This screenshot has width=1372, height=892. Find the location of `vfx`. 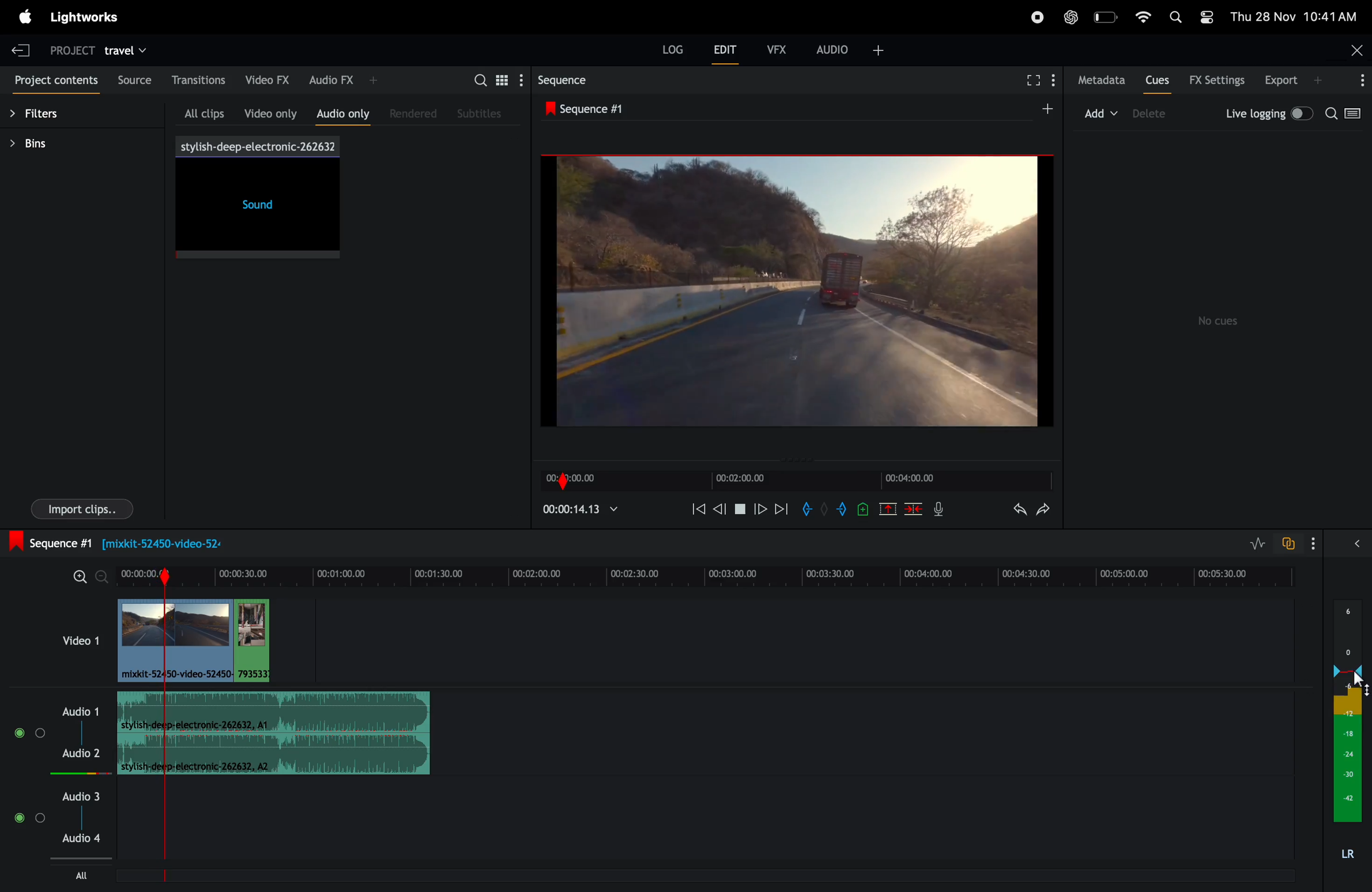

vfx is located at coordinates (775, 49).